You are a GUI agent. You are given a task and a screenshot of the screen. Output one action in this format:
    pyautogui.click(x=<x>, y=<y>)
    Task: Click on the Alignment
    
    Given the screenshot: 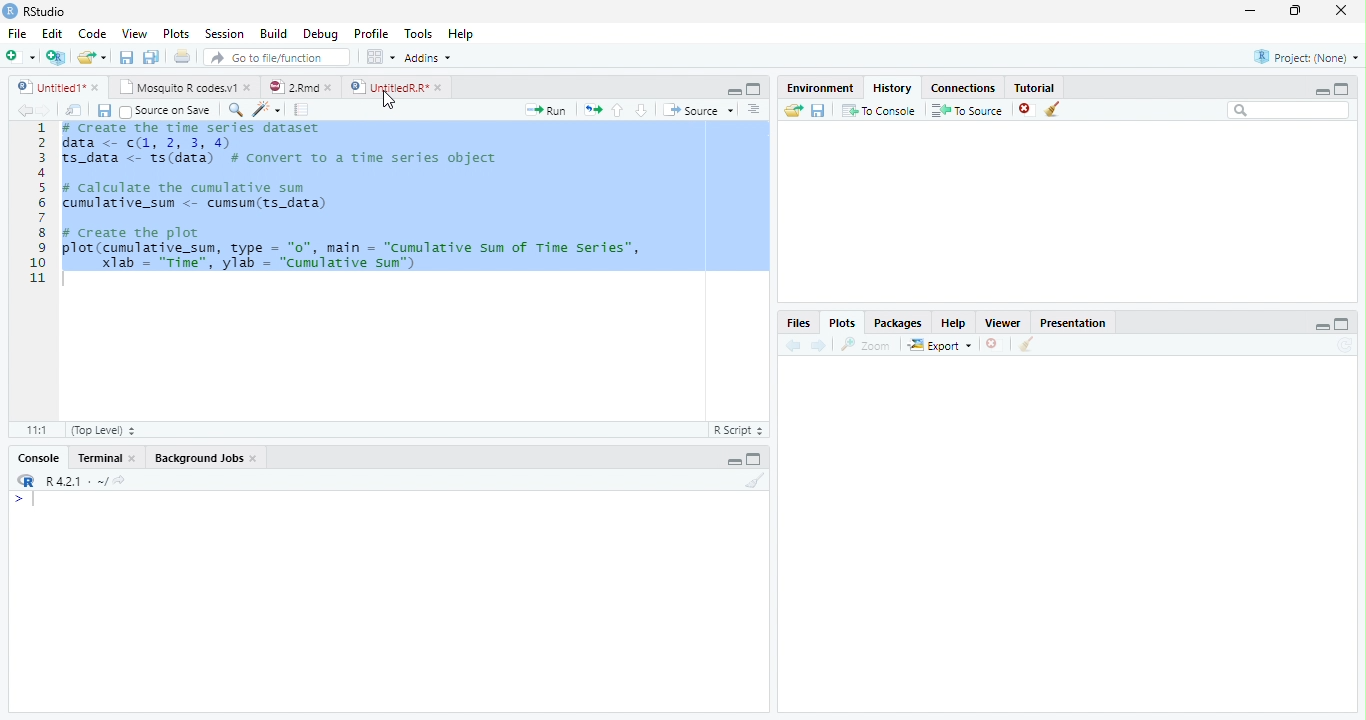 What is the action you would take?
    pyautogui.click(x=754, y=110)
    